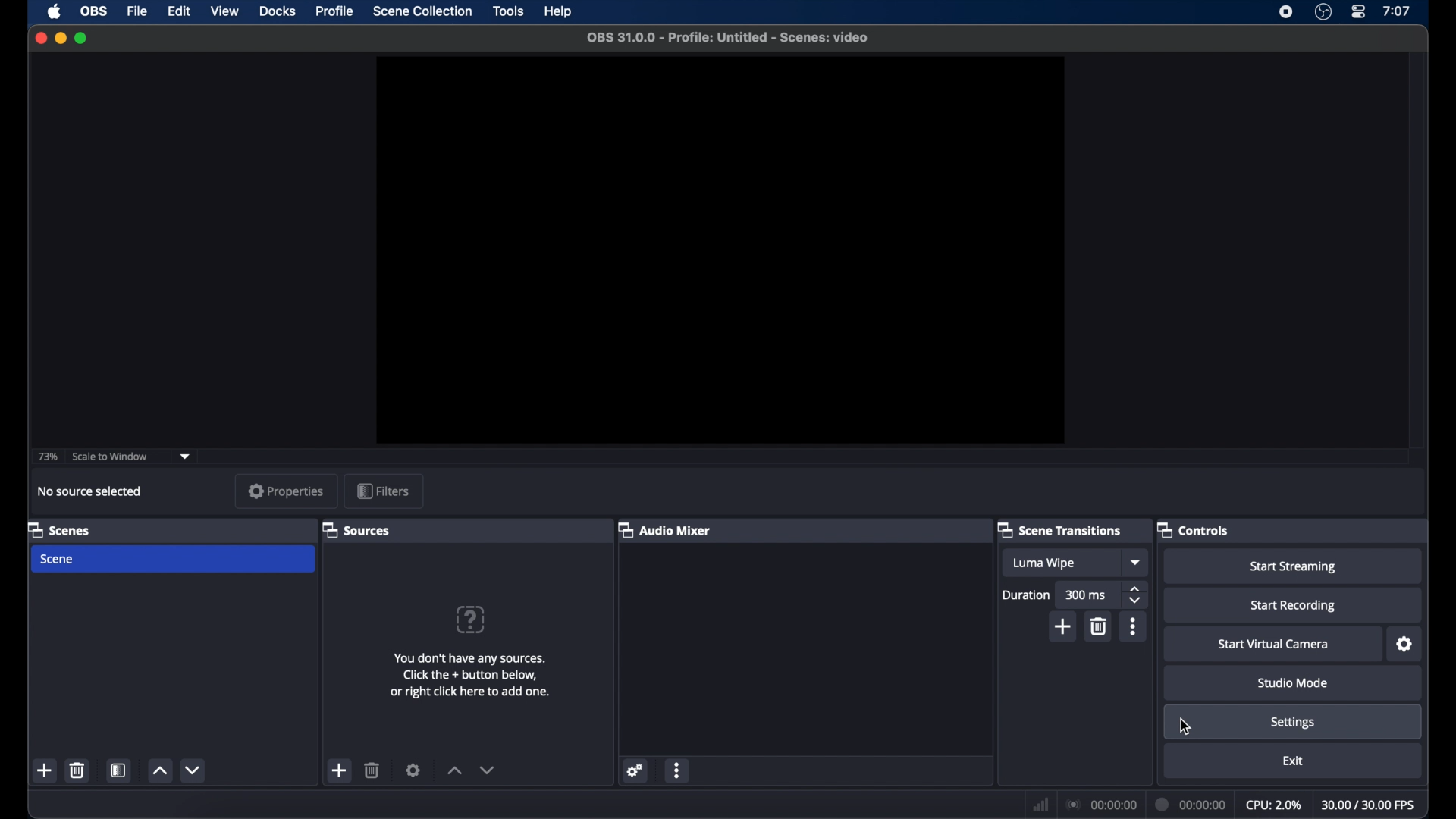 The width and height of the screenshot is (1456, 819). Describe the element at coordinates (382, 491) in the screenshot. I see `filters` at that location.